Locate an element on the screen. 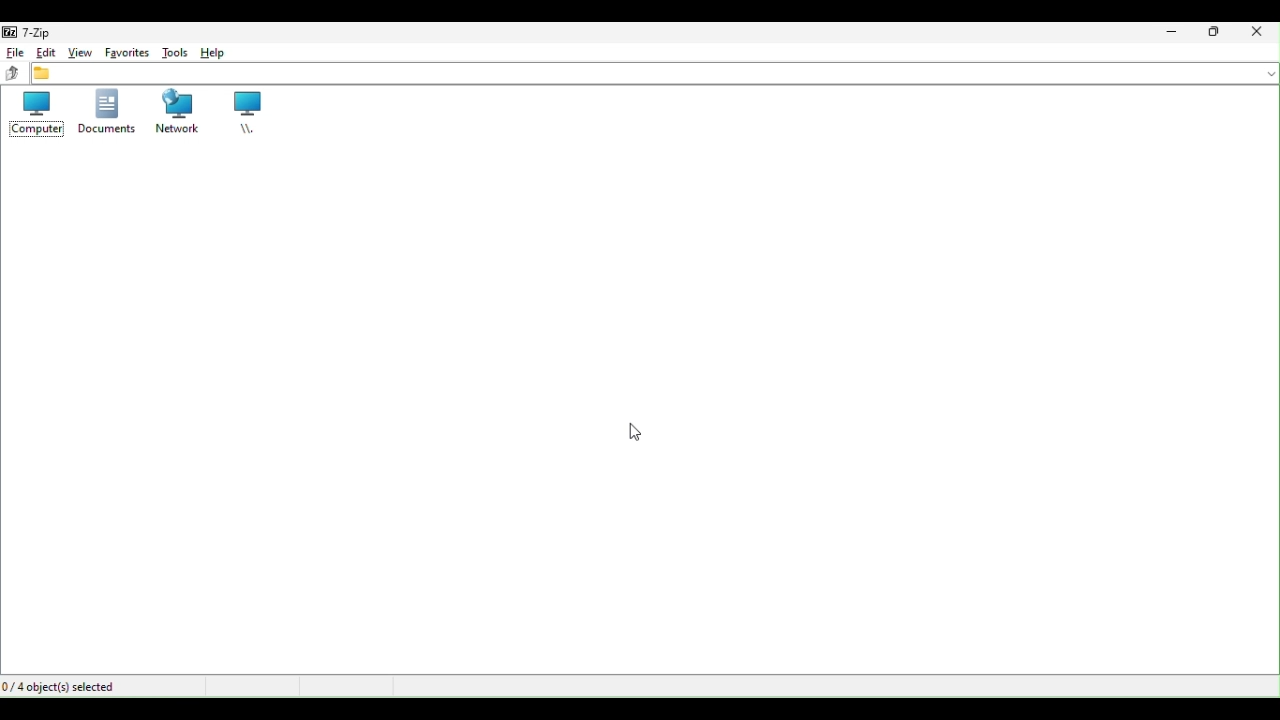 Image resolution: width=1280 pixels, height=720 pixels. View is located at coordinates (83, 53).